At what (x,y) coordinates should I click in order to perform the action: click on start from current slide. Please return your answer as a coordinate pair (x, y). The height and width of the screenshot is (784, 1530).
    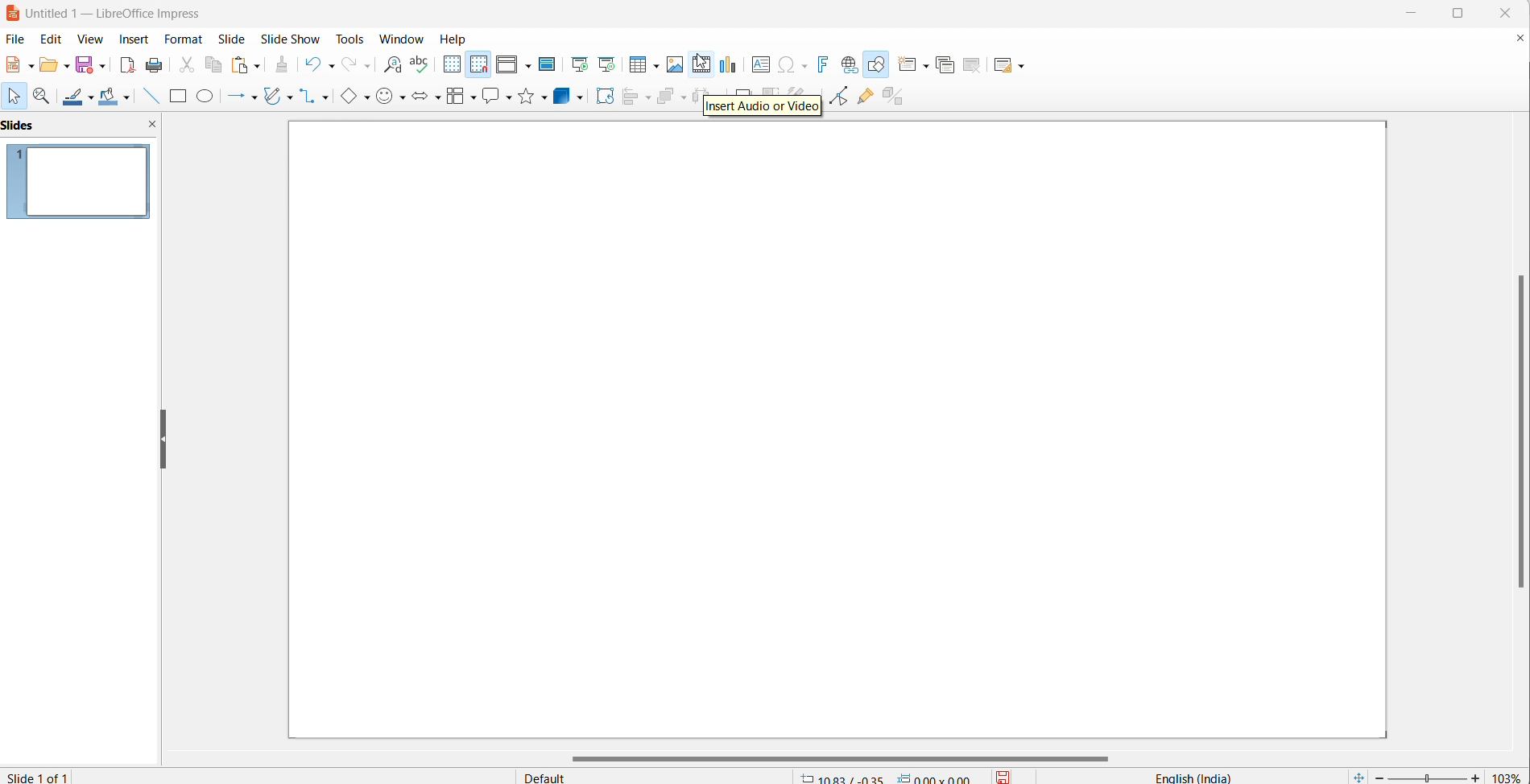
    Looking at the image, I should click on (609, 64).